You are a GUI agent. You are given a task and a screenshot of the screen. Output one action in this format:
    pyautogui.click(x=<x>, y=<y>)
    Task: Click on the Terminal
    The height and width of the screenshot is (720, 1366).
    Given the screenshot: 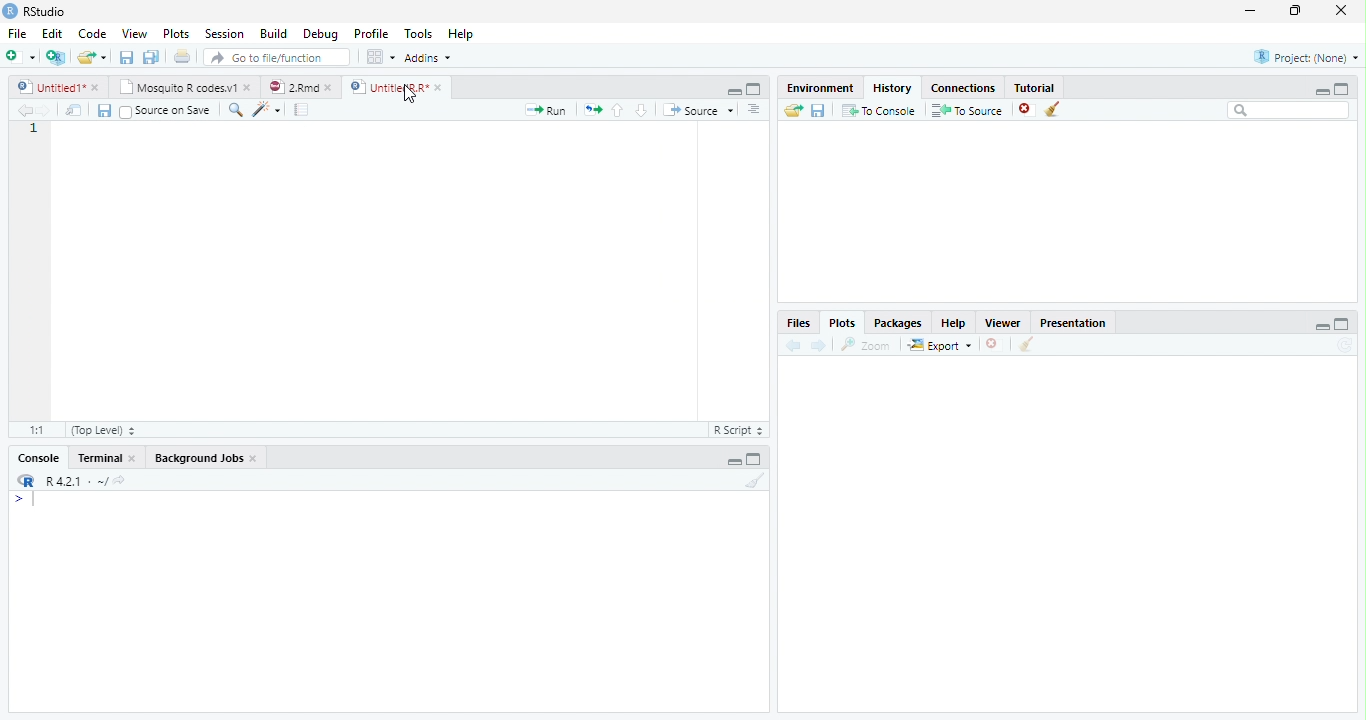 What is the action you would take?
    pyautogui.click(x=95, y=458)
    